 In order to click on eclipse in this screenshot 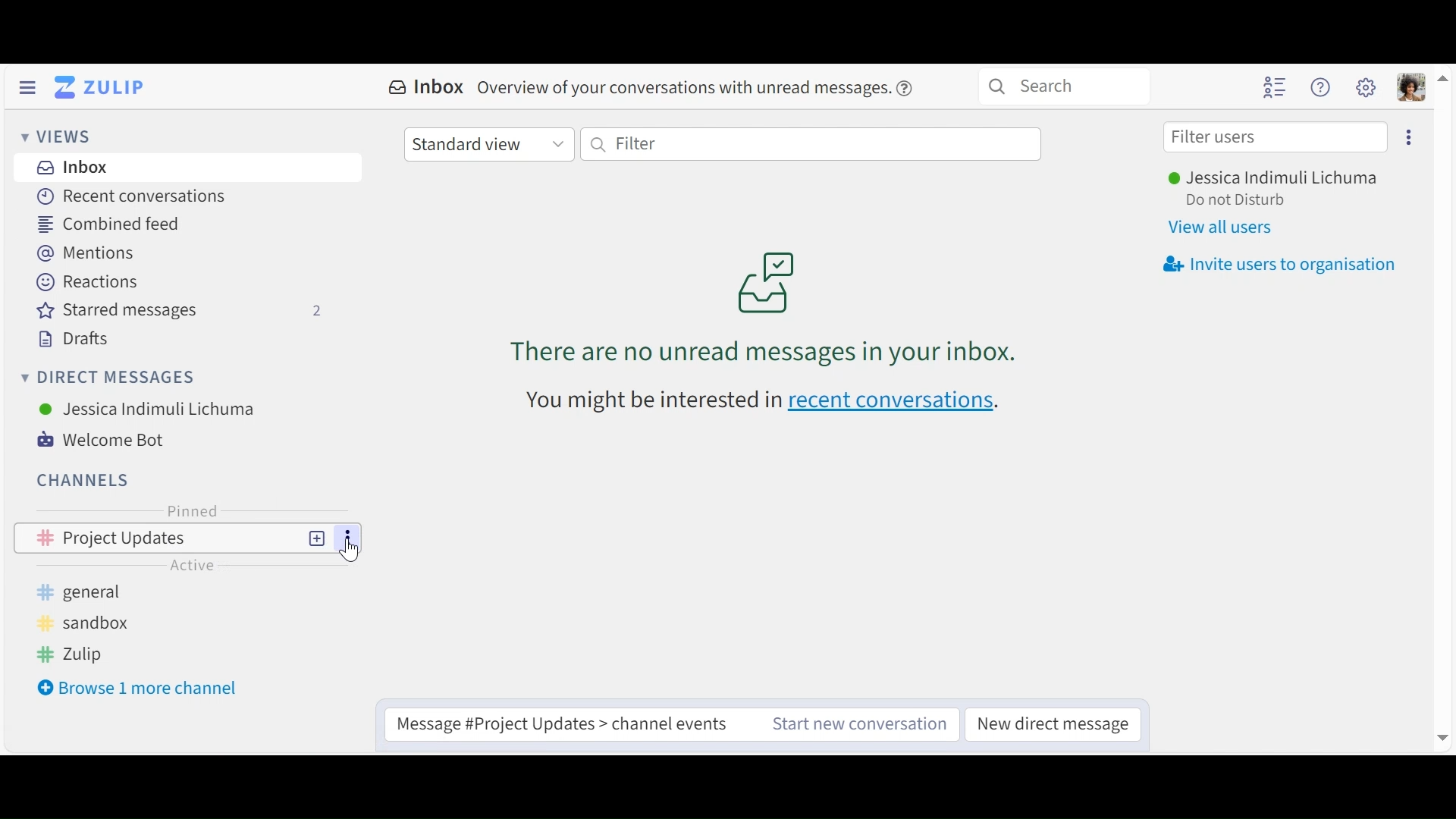, I will do `click(1410, 137)`.